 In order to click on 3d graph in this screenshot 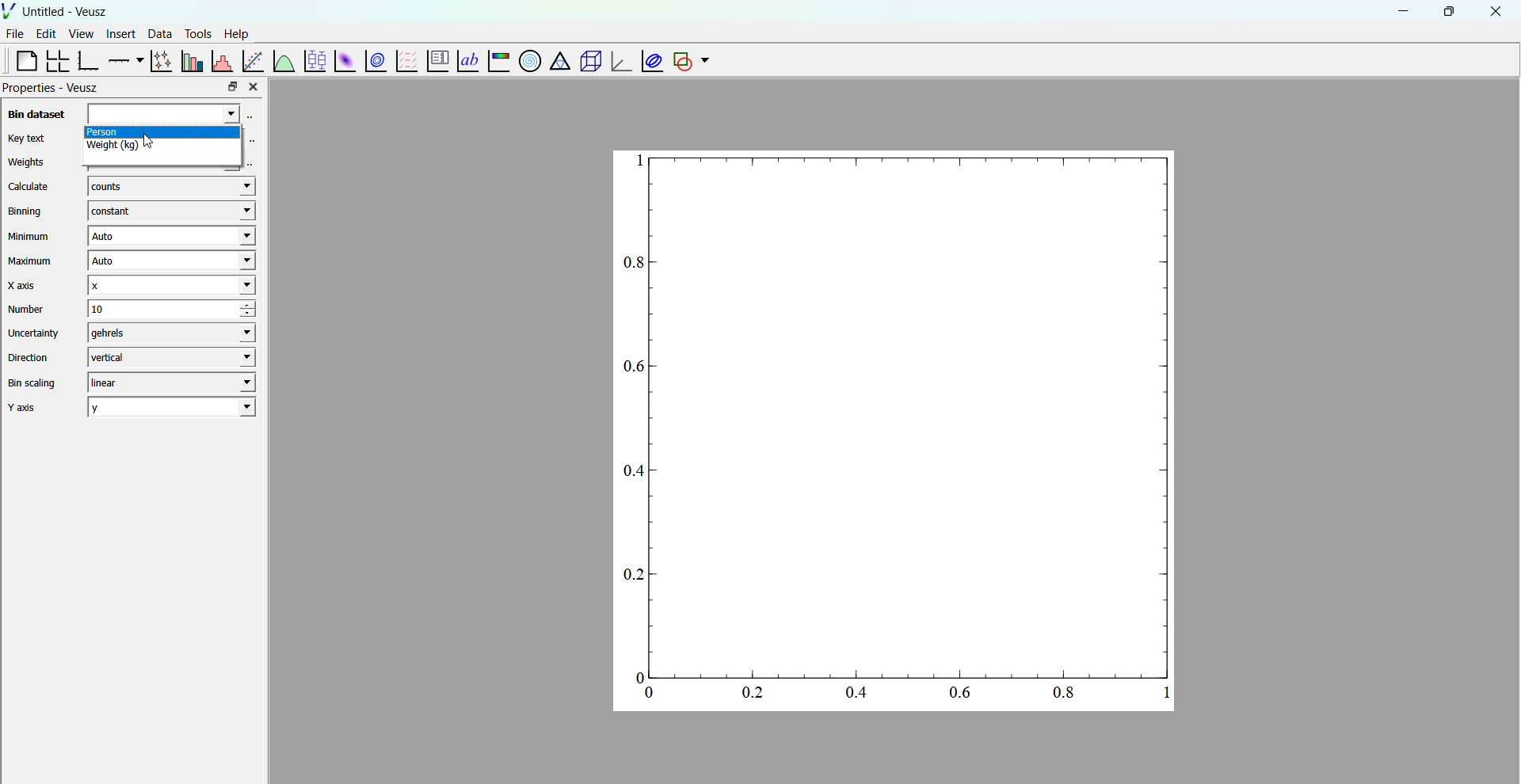, I will do `click(619, 63)`.